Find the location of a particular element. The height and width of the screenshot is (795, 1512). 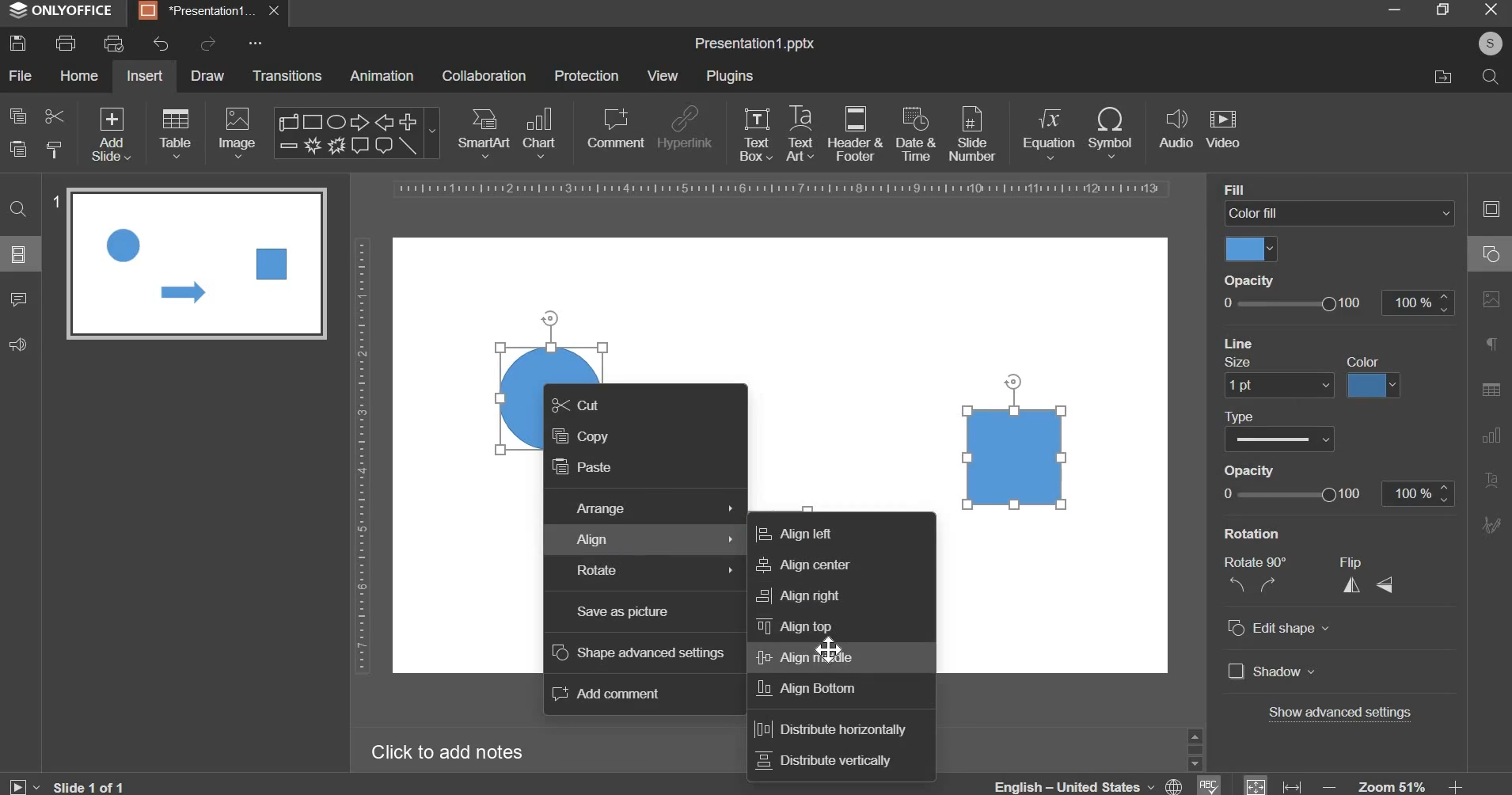

draw is located at coordinates (209, 74).